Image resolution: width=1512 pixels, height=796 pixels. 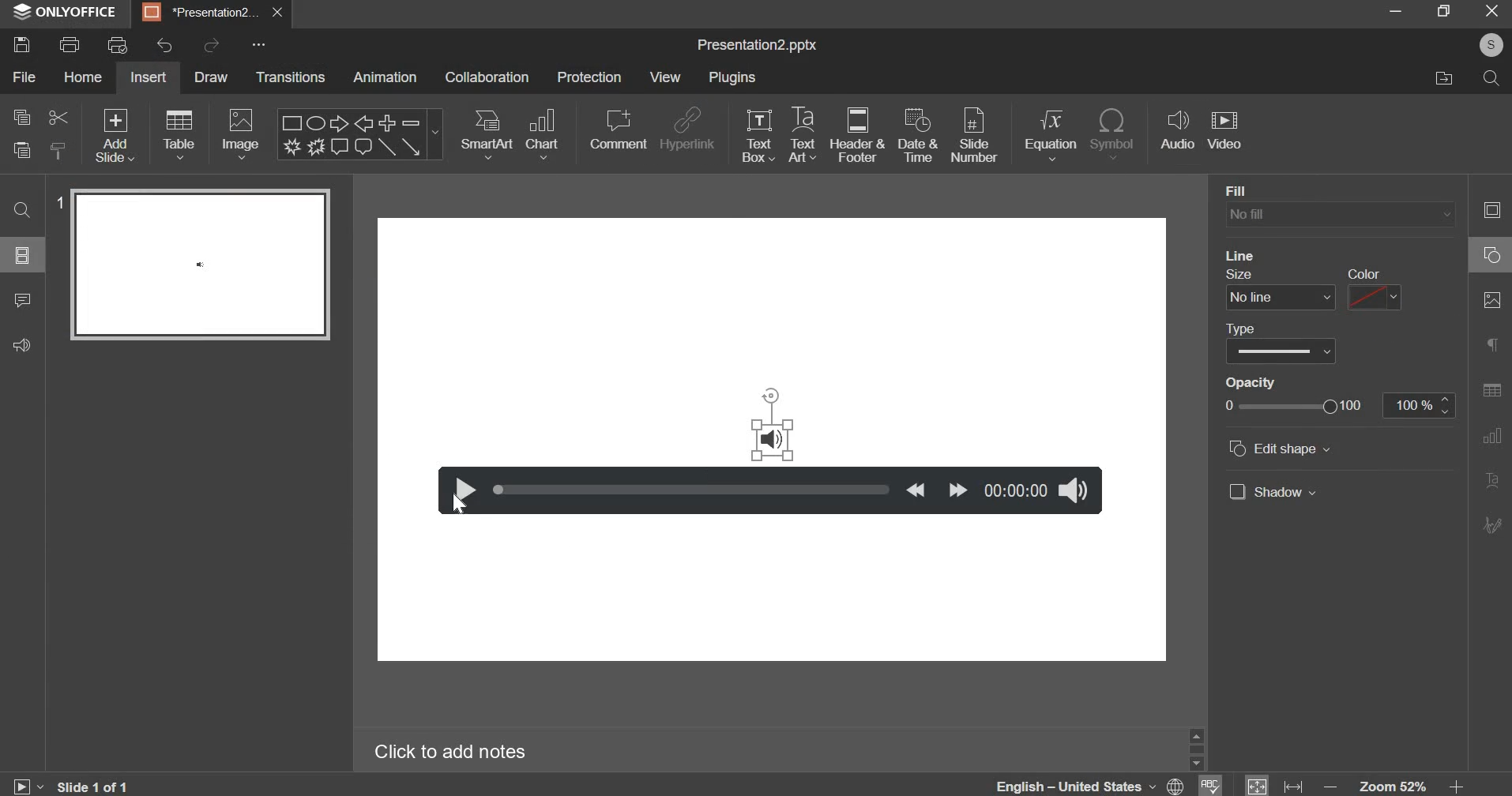 I want to click on zoom 52%, so click(x=1394, y=785).